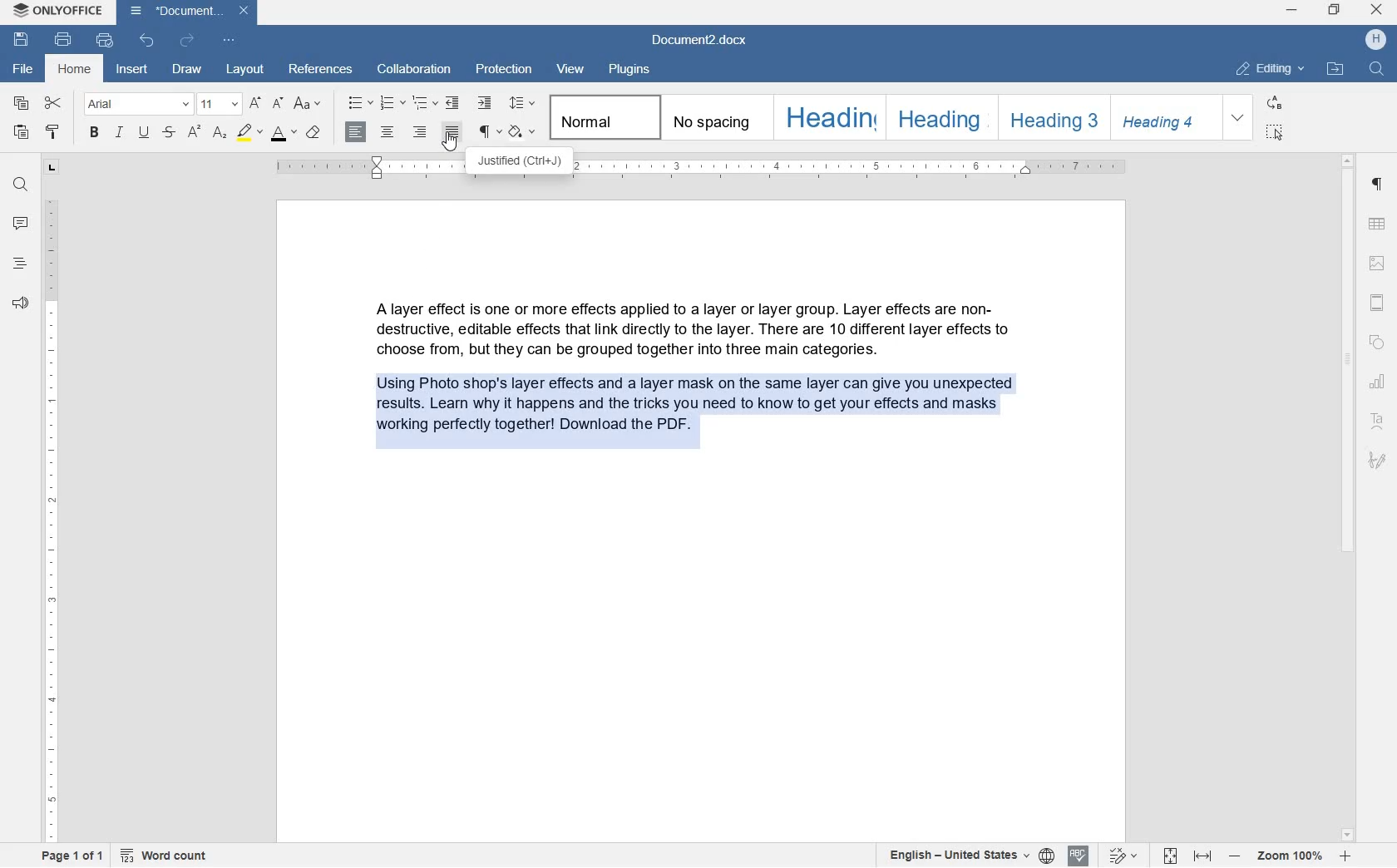 Image resolution: width=1397 pixels, height=868 pixels. What do you see at coordinates (971, 856) in the screenshot?
I see `SELECT TEXT OR DOCUMENT LANGUAGE` at bounding box center [971, 856].